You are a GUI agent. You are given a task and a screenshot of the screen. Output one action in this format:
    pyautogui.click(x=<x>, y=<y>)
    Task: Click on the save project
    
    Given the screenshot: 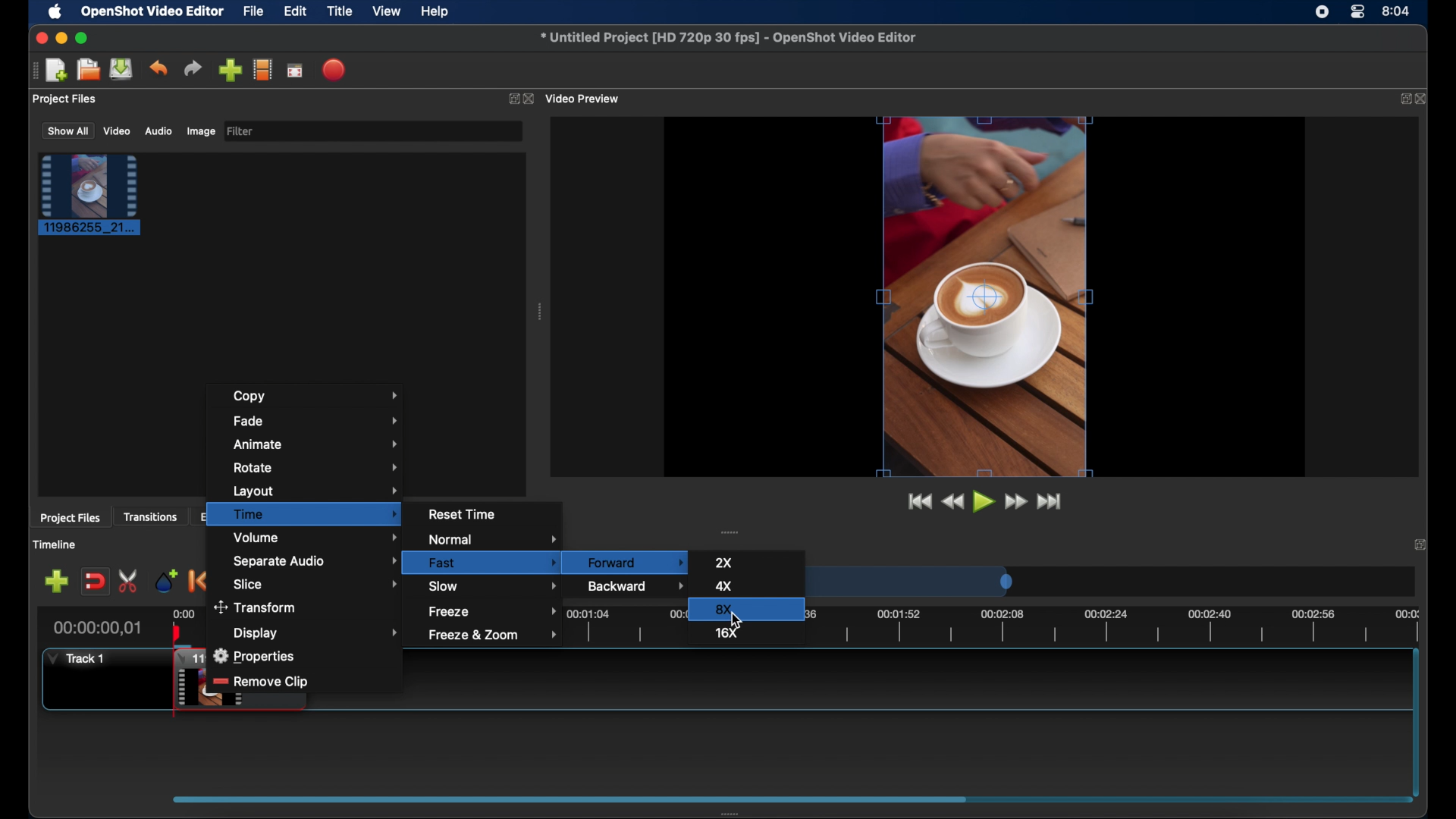 What is the action you would take?
    pyautogui.click(x=122, y=69)
    